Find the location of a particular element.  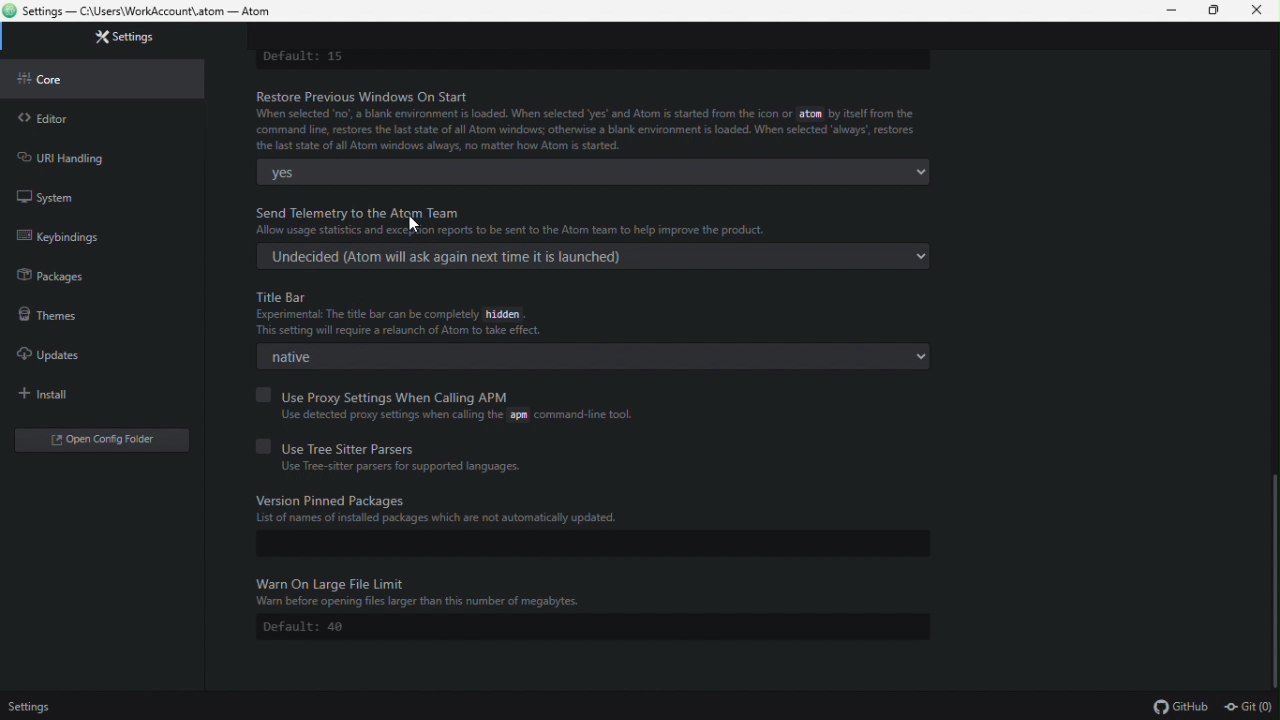

System is located at coordinates (71, 193).